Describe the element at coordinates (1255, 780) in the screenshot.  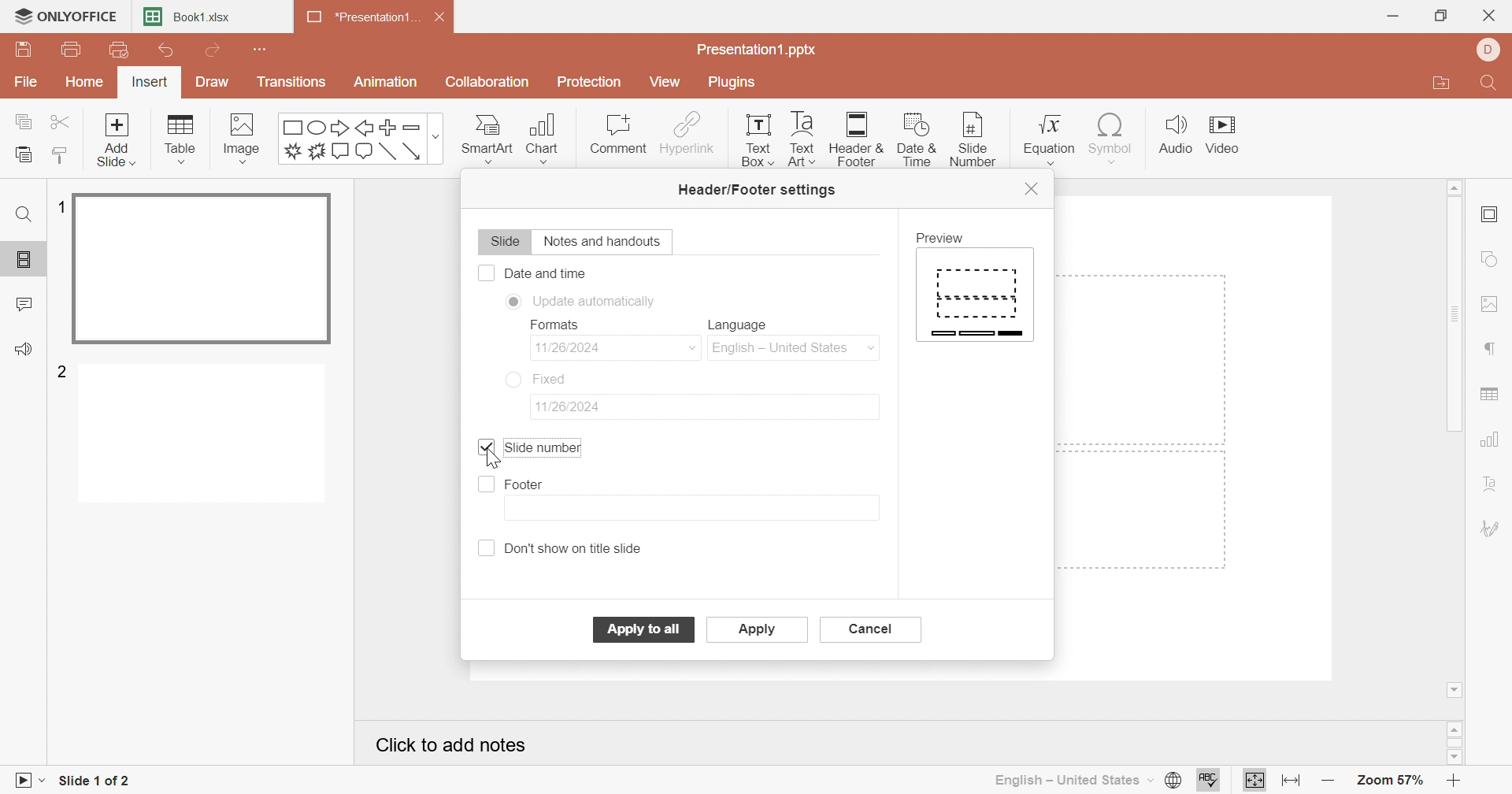
I see `Fit to slide` at that location.